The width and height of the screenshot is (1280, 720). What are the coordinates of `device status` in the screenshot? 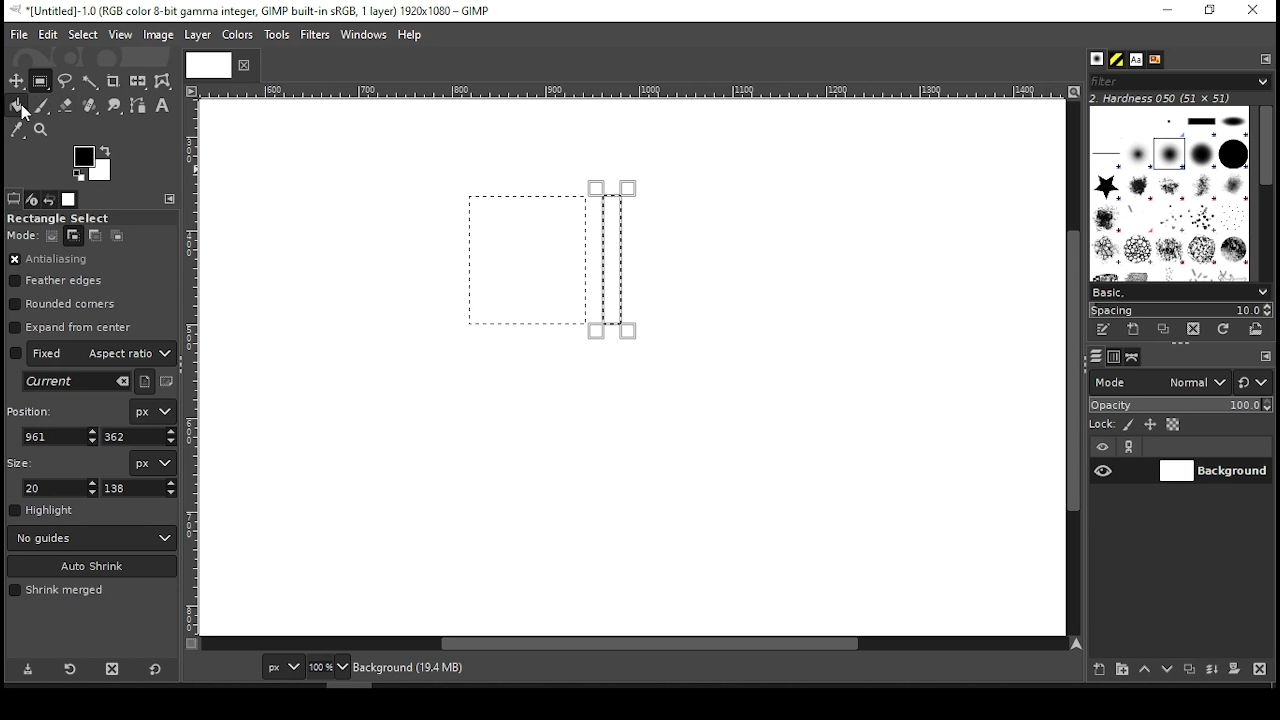 It's located at (32, 199).